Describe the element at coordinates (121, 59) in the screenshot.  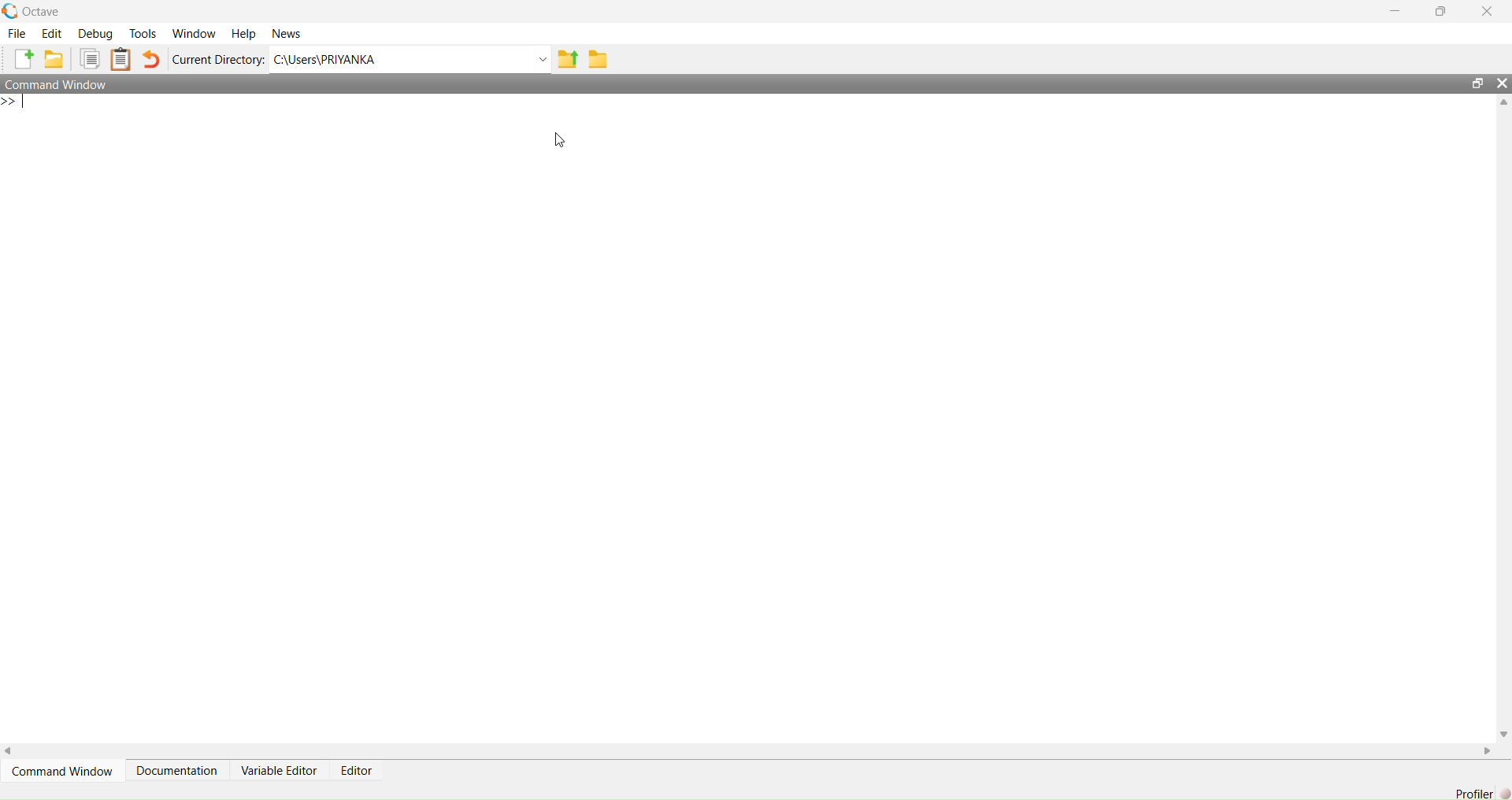
I see `Paste` at that location.